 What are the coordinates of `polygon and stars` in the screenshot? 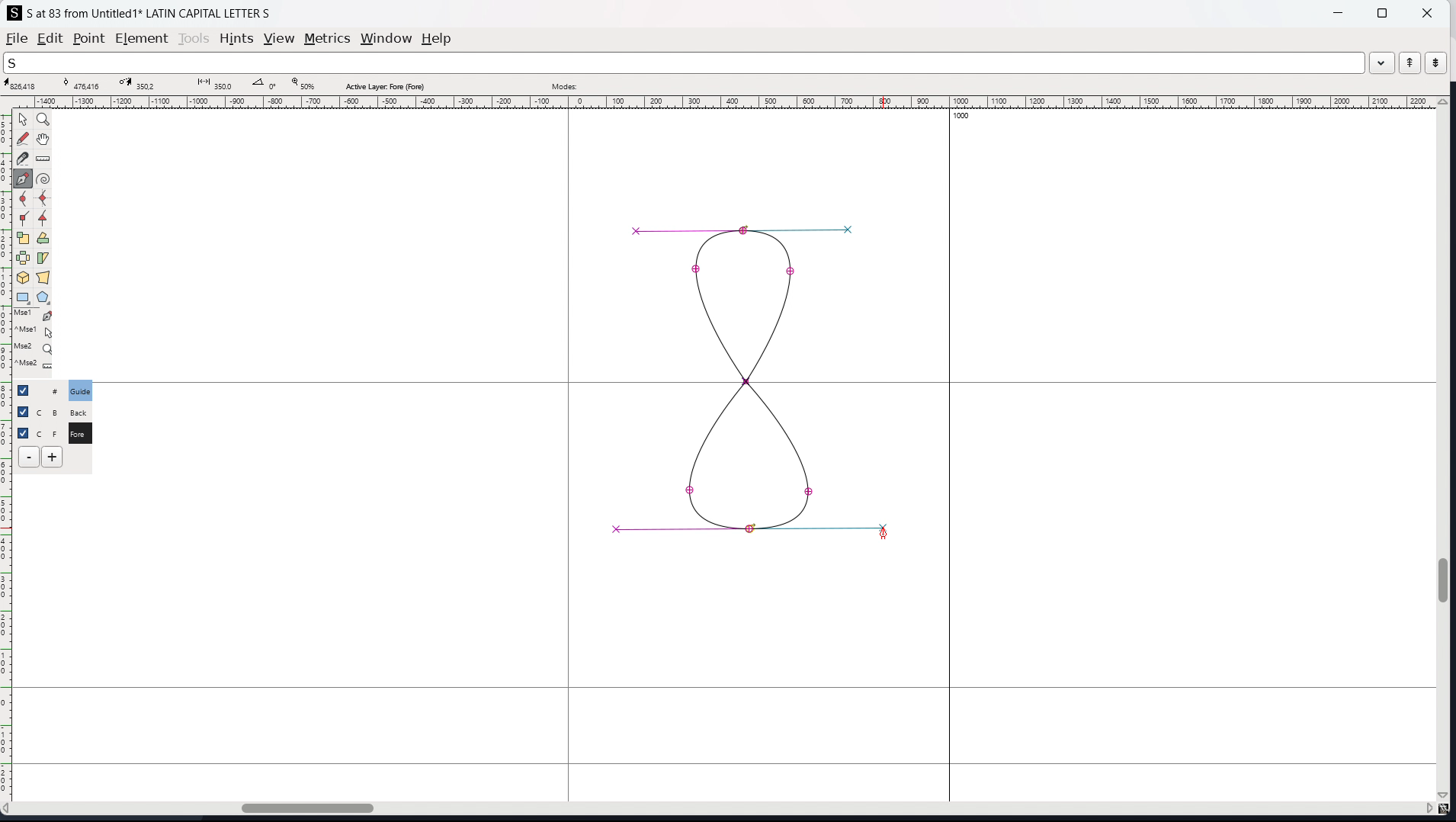 It's located at (44, 298).